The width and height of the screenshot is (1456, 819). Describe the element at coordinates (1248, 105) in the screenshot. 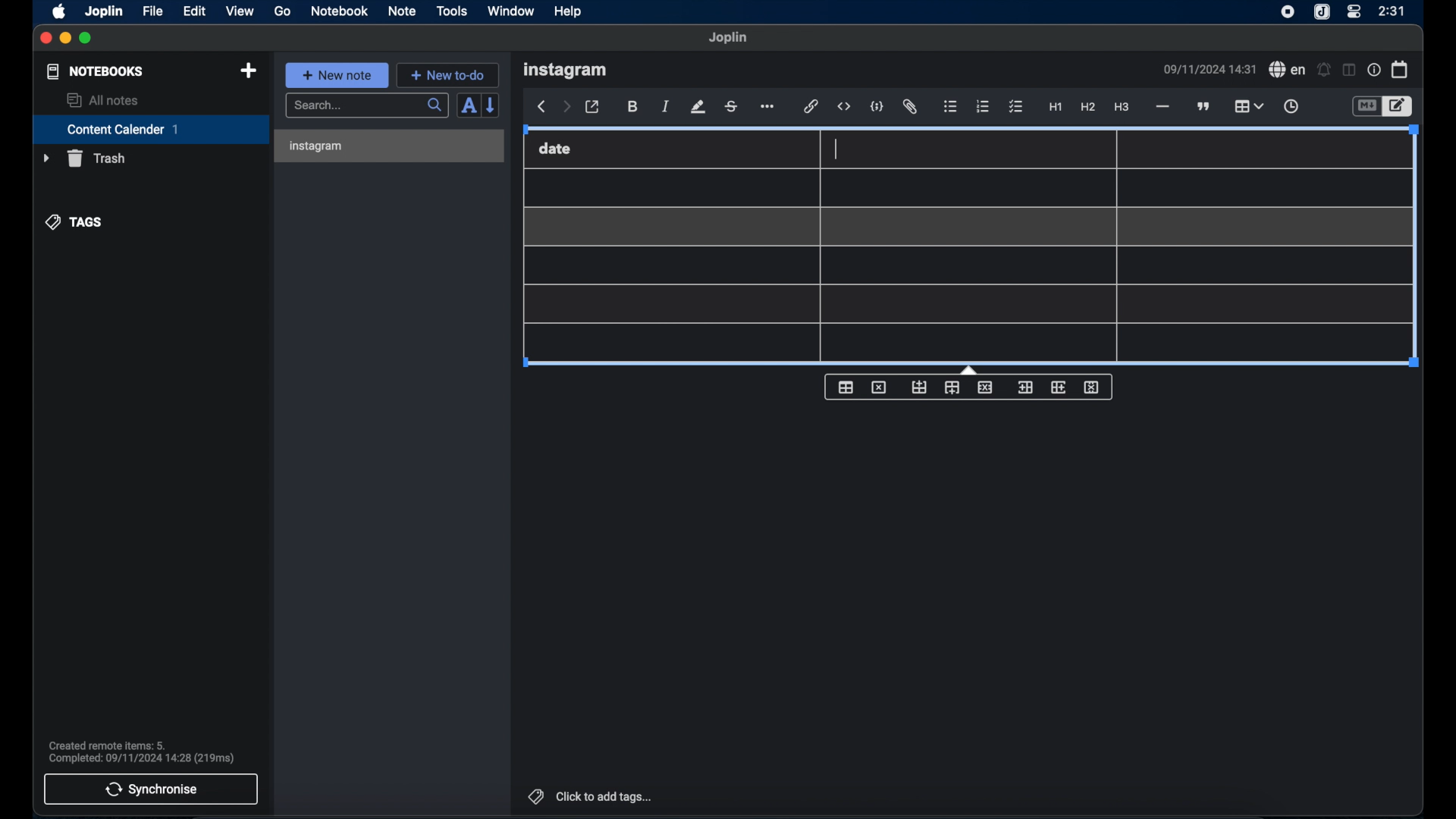

I see `table highlighted` at that location.